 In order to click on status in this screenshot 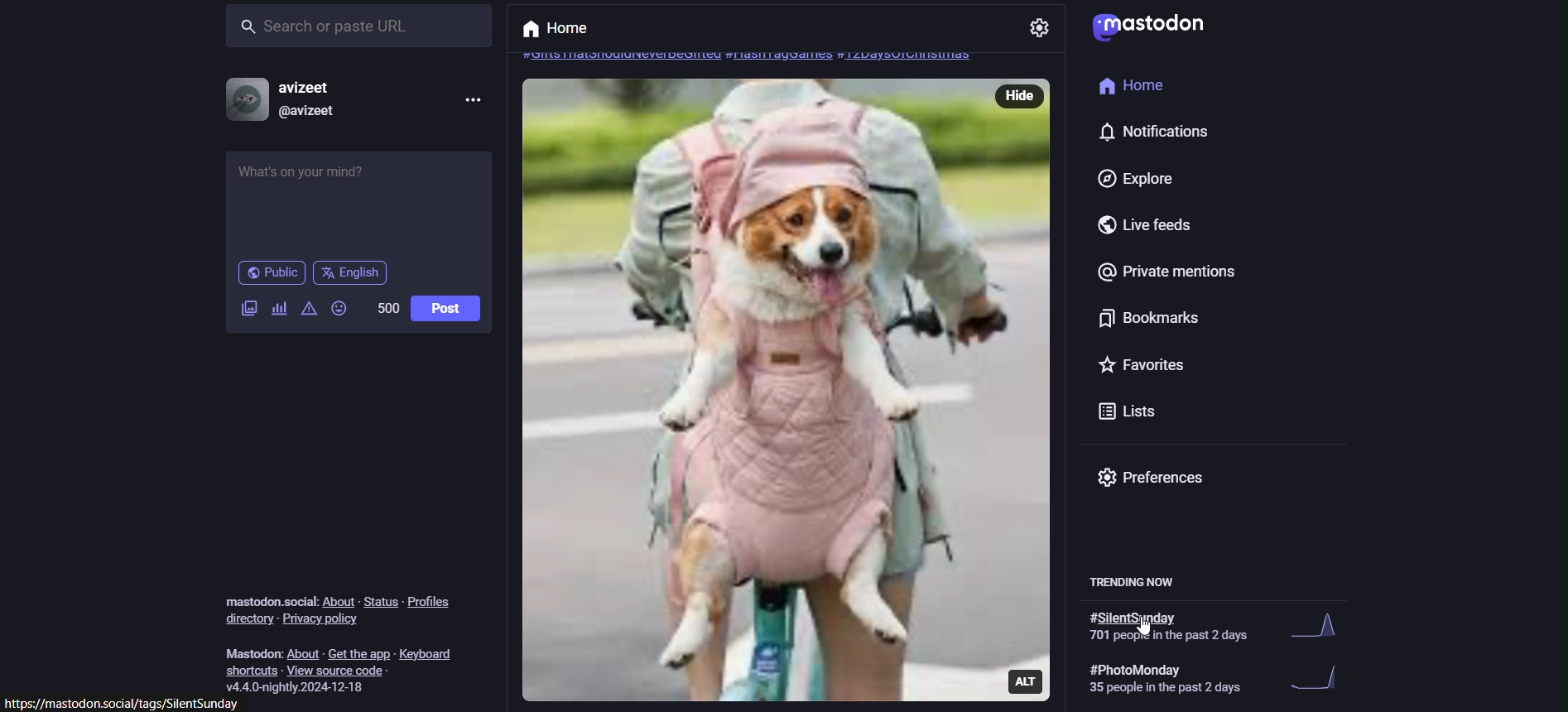, I will do `click(378, 596)`.